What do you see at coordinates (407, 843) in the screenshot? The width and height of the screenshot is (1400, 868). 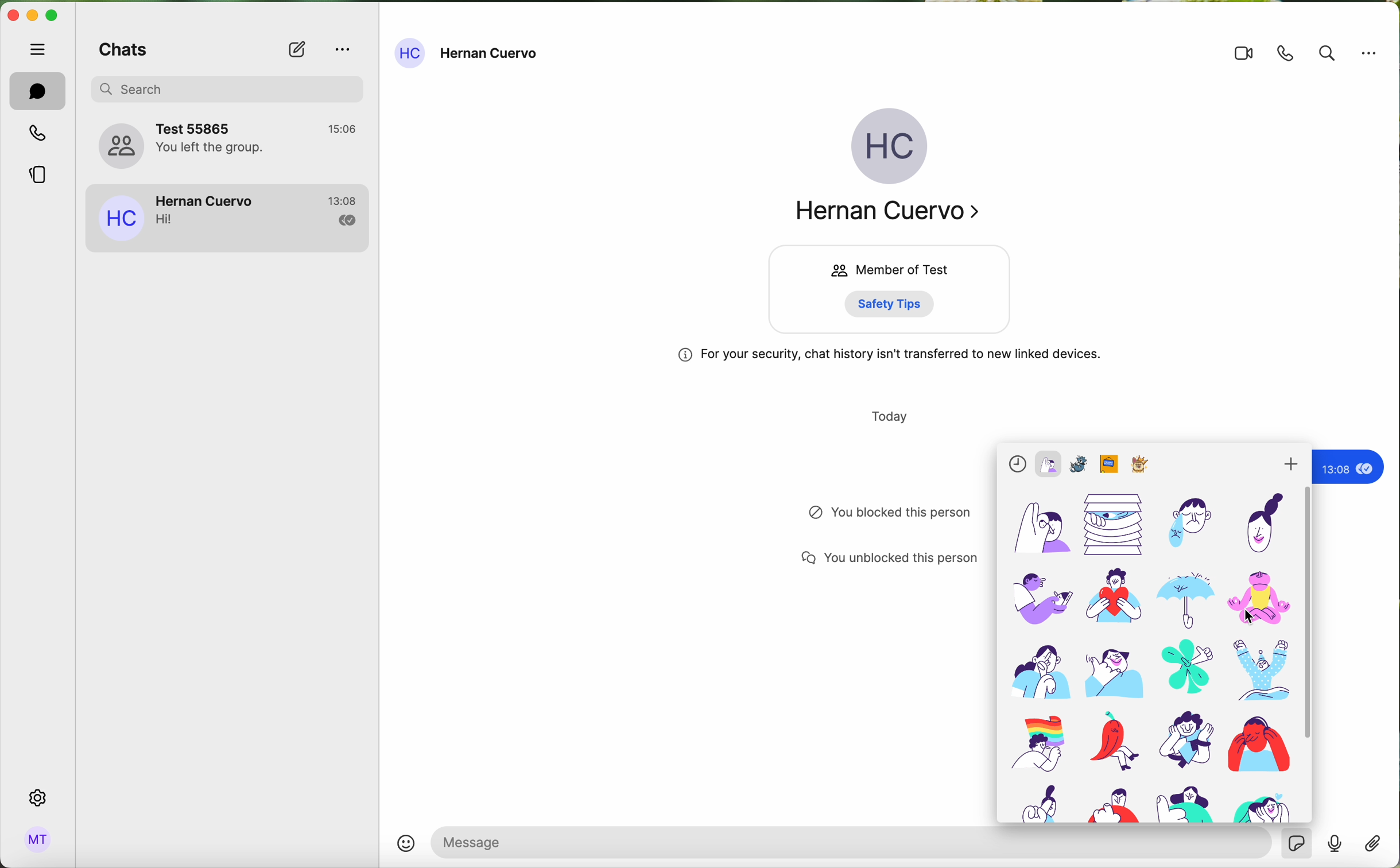 I see `emoji` at bounding box center [407, 843].